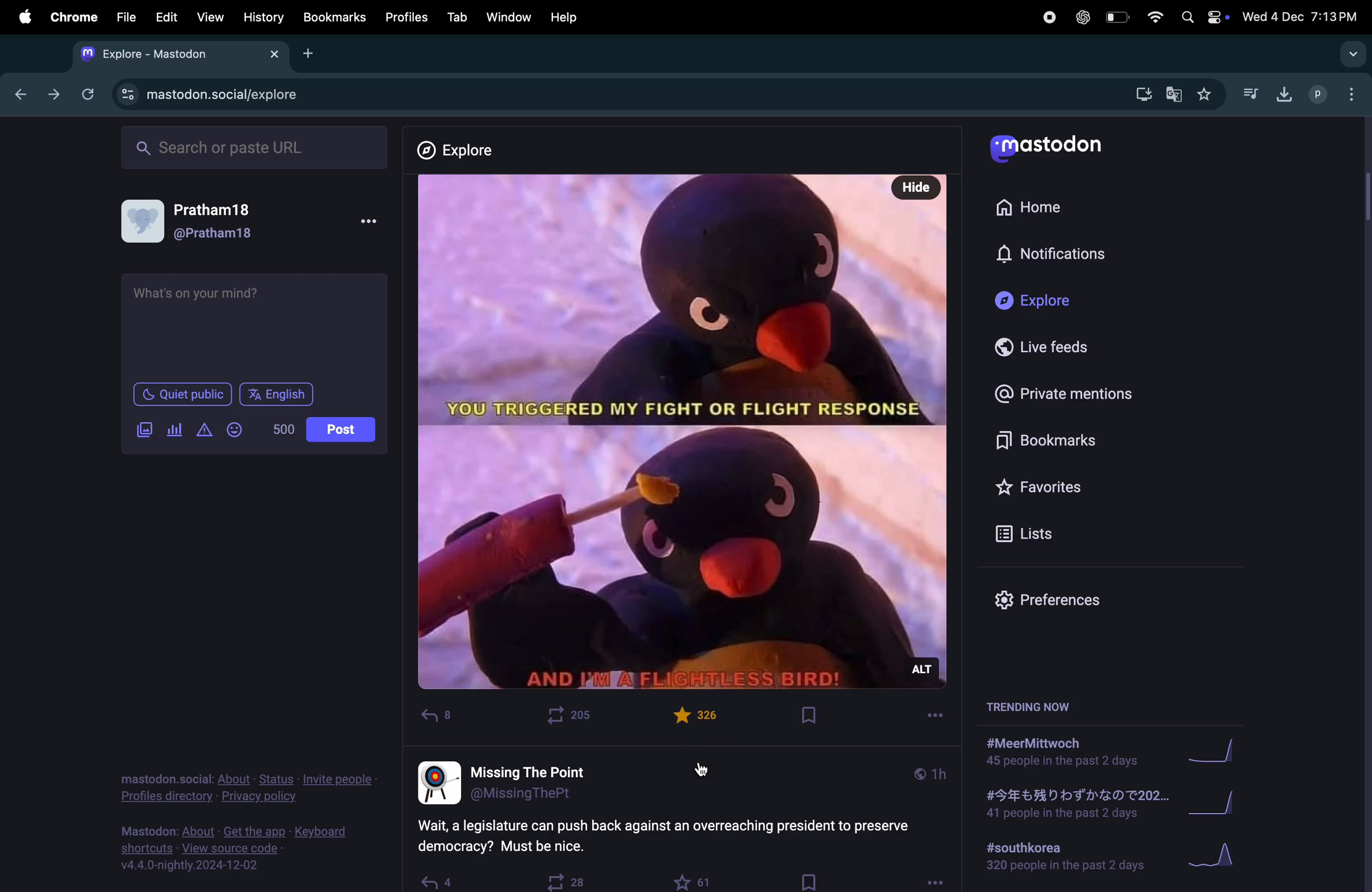 This screenshot has width=1372, height=892. I want to click on bookmark, so click(809, 880).